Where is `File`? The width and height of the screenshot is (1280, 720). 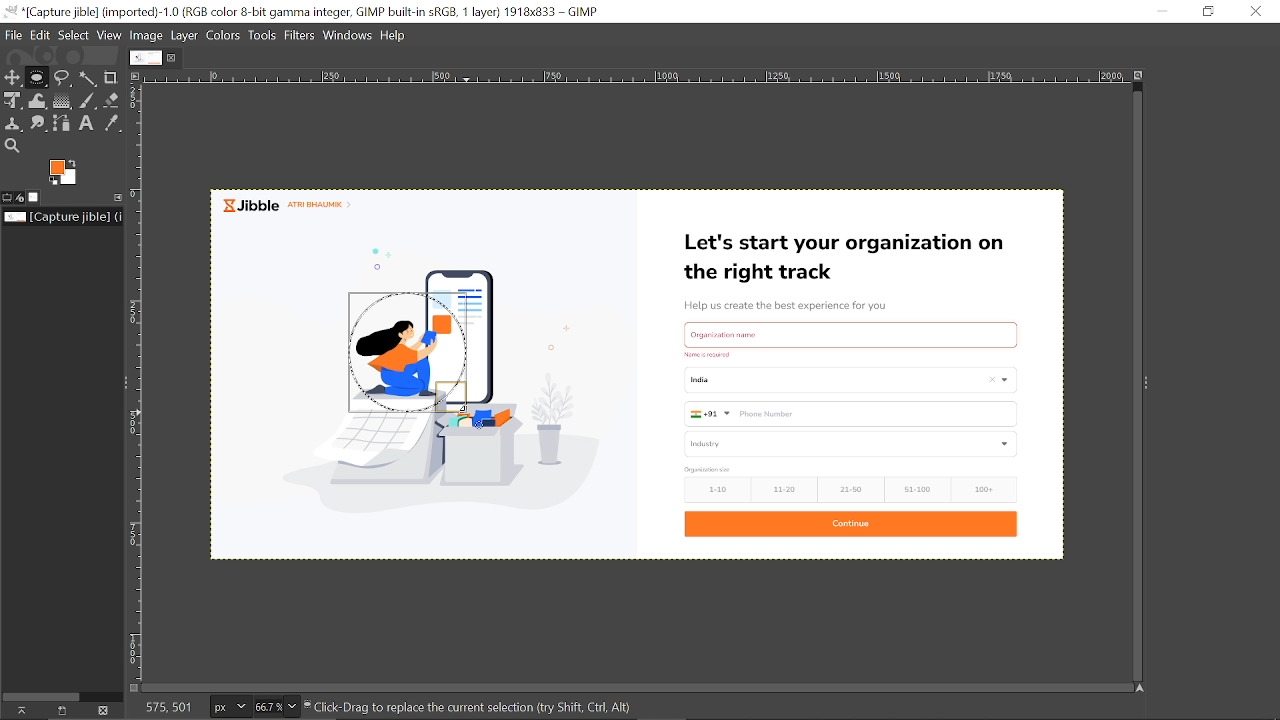
File is located at coordinates (14, 35).